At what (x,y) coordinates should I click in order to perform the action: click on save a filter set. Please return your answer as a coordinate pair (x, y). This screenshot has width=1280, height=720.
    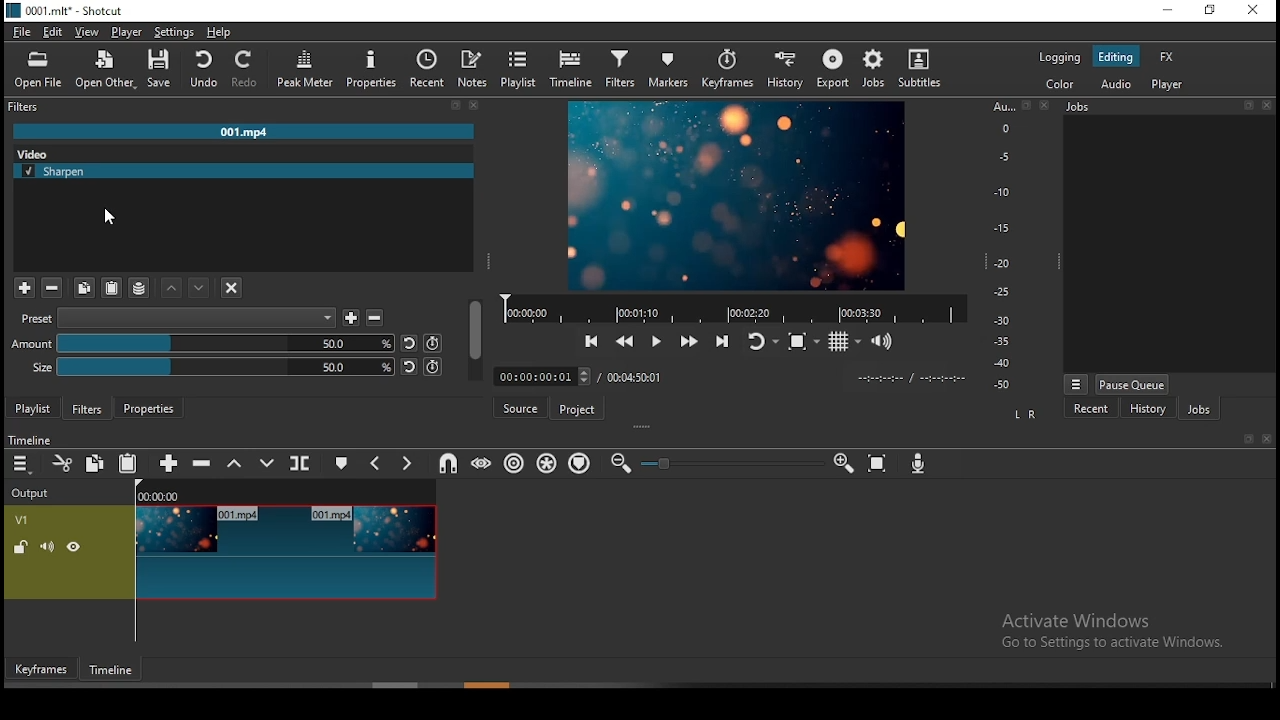
    Looking at the image, I should click on (139, 289).